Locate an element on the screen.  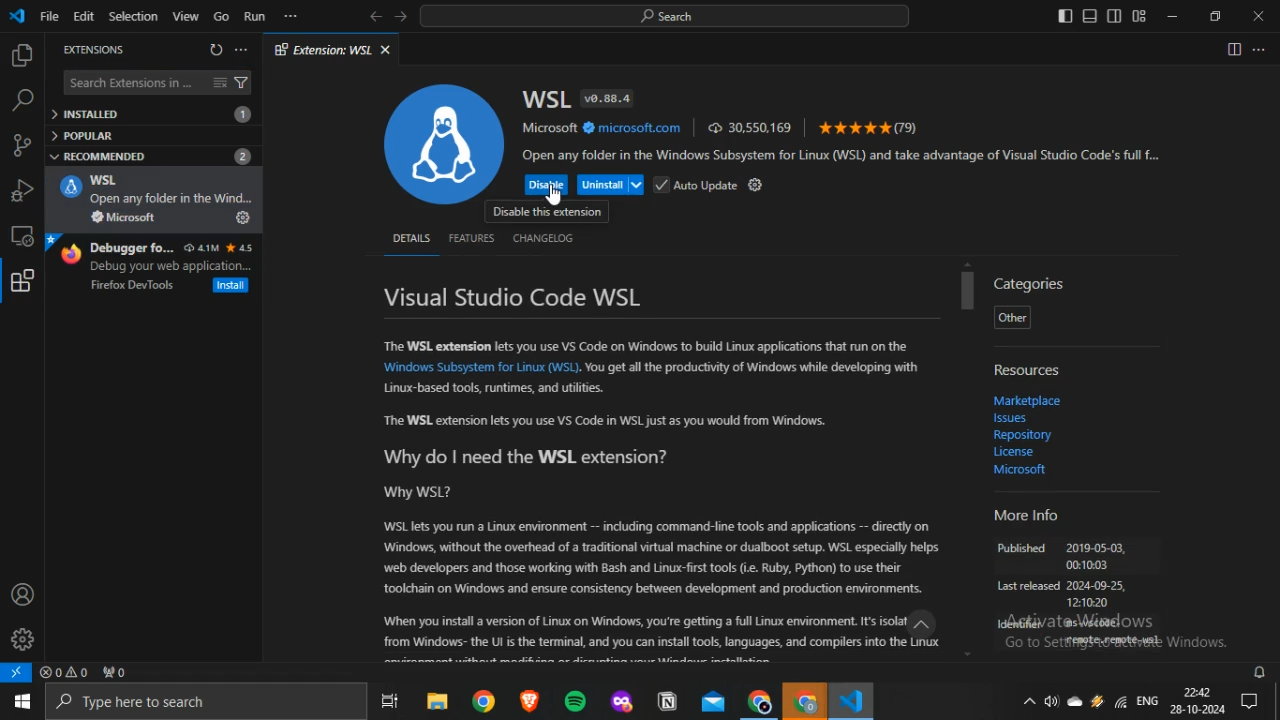
28-10-2024 is located at coordinates (1197, 709).